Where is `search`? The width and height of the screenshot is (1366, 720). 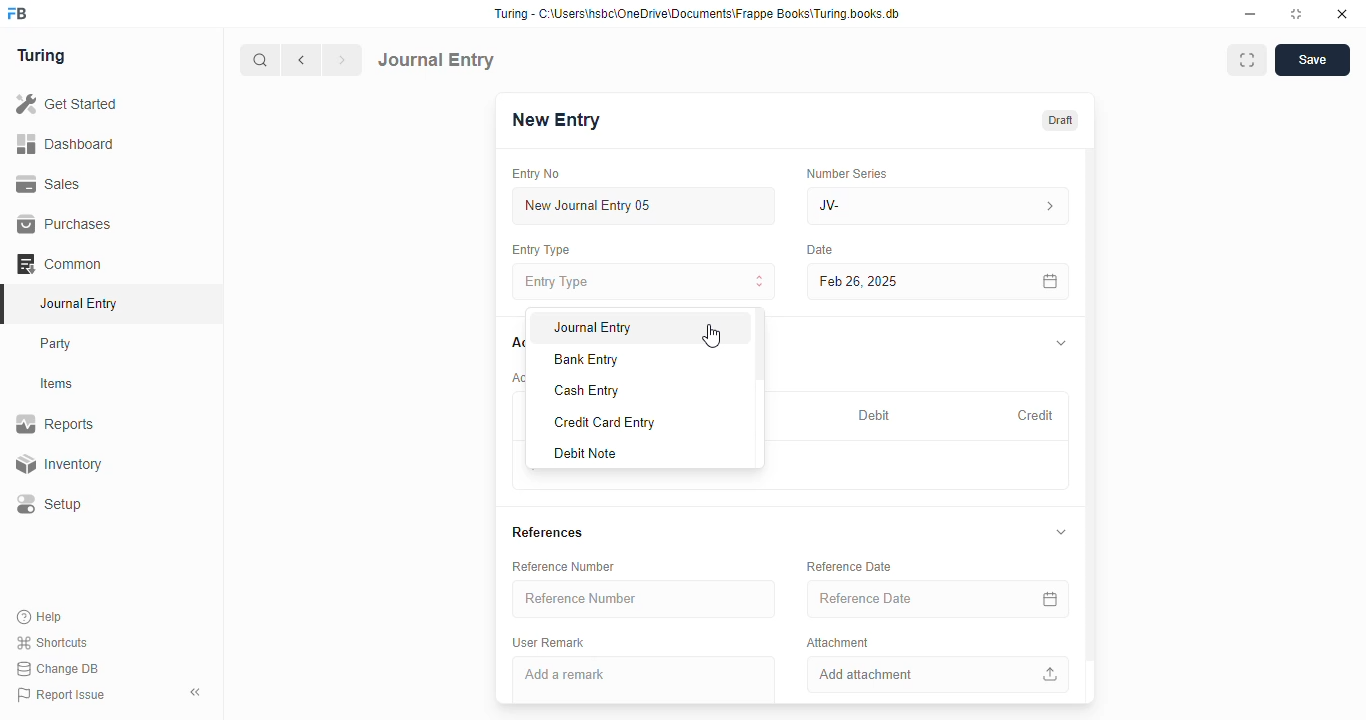
search is located at coordinates (261, 60).